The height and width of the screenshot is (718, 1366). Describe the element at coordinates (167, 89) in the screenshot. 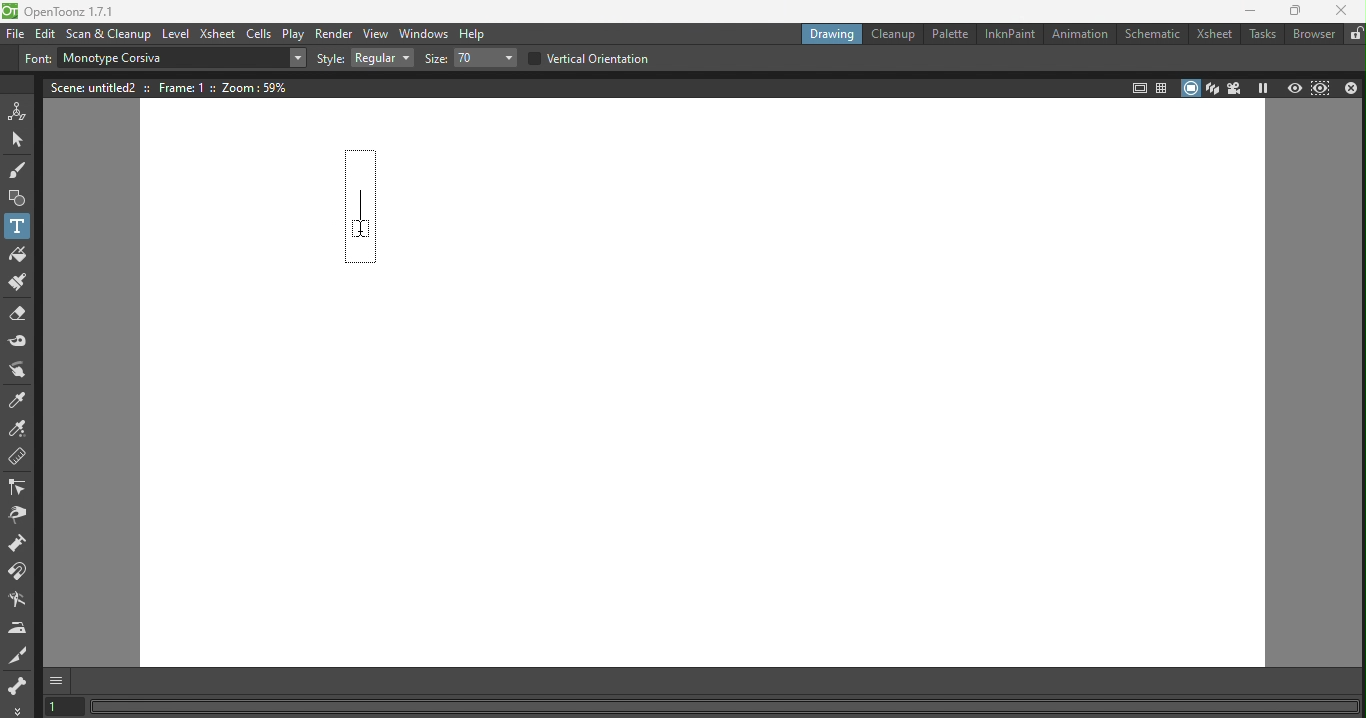

I see `Scene details` at that location.